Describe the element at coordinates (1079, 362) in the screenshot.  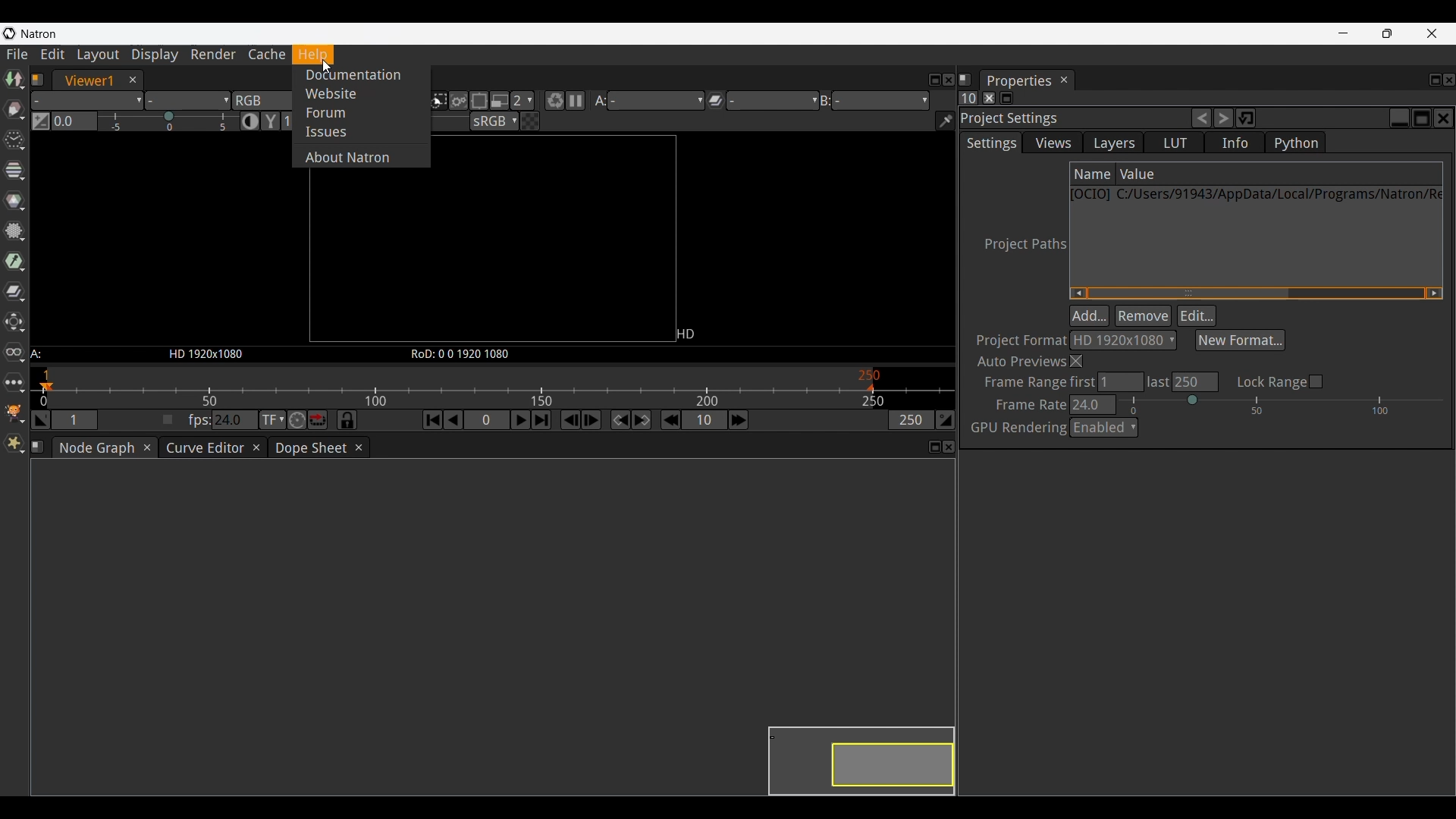
I see `Close` at that location.